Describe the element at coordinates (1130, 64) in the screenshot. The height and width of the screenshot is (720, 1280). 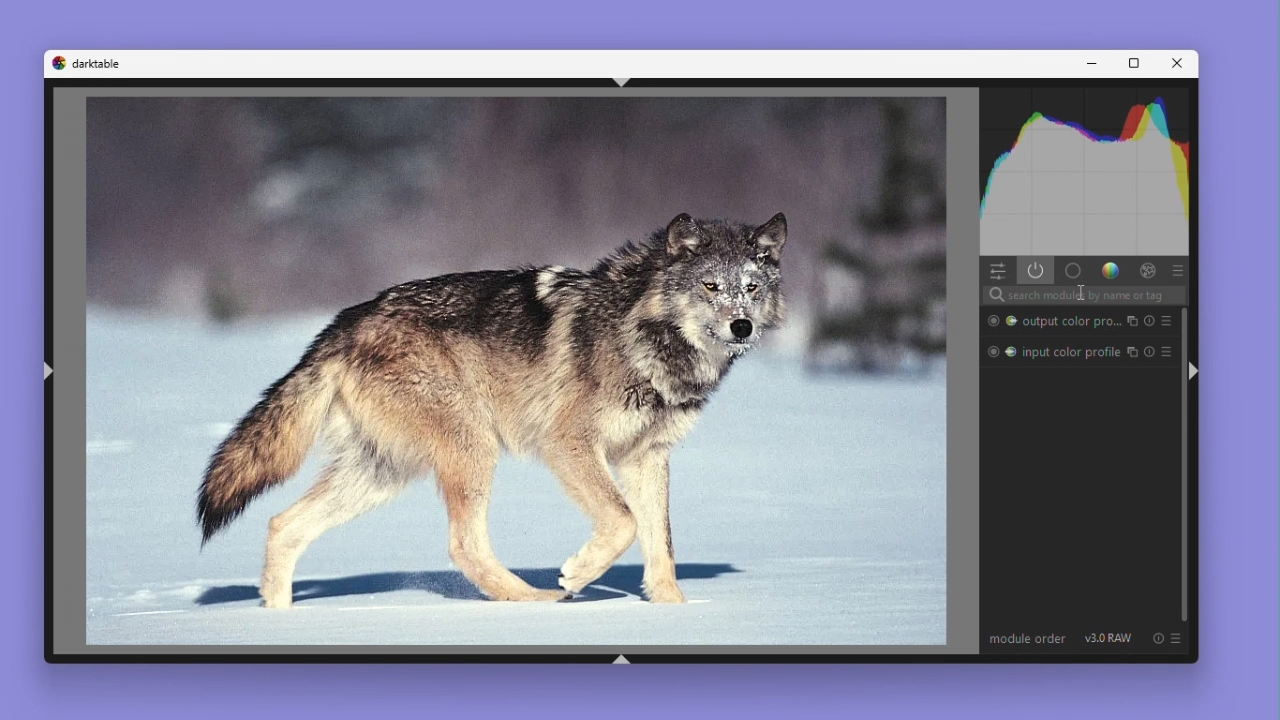
I see `Maximize` at that location.